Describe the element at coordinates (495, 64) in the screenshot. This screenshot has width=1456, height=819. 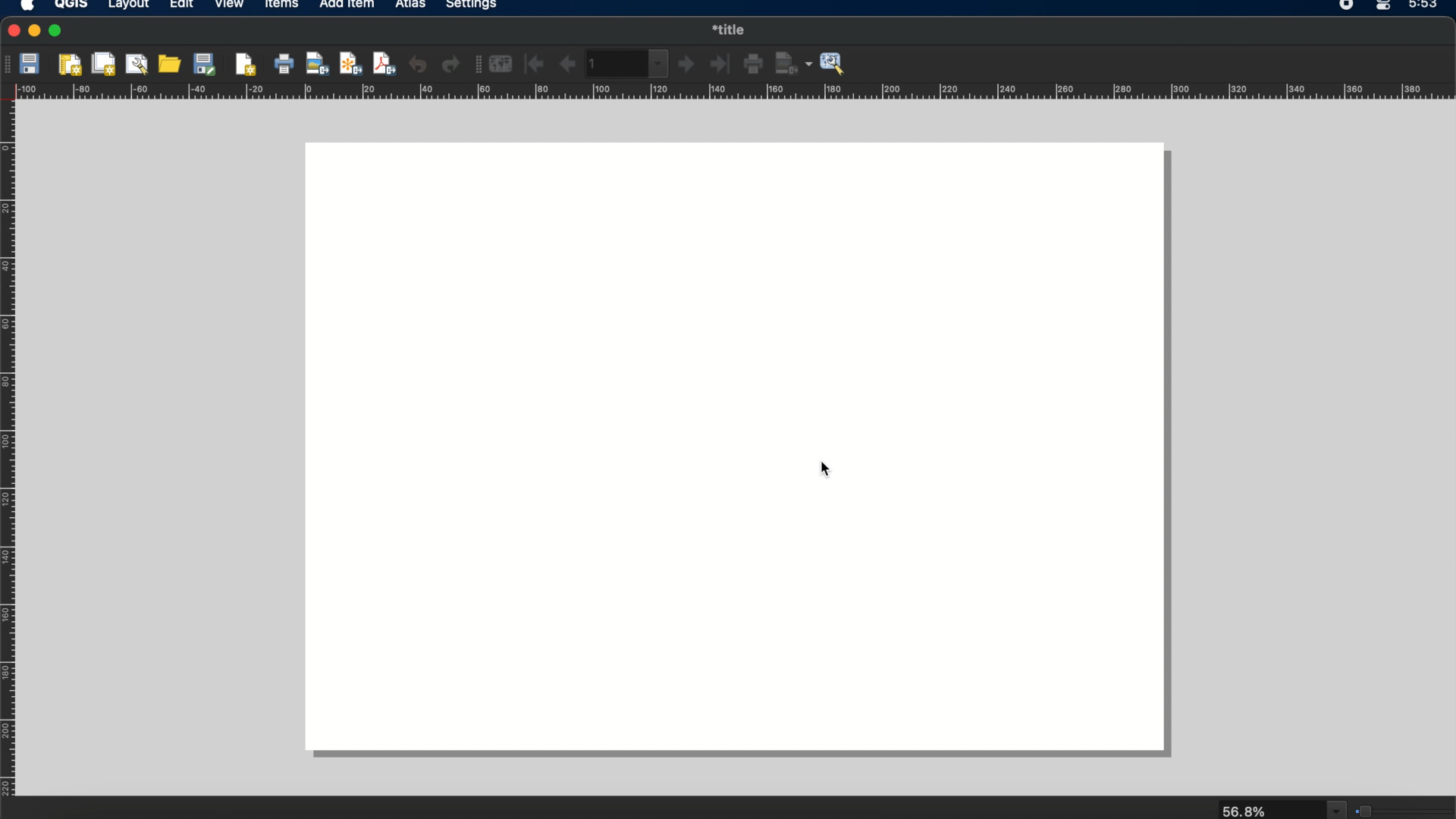
I see `preview atlas` at that location.